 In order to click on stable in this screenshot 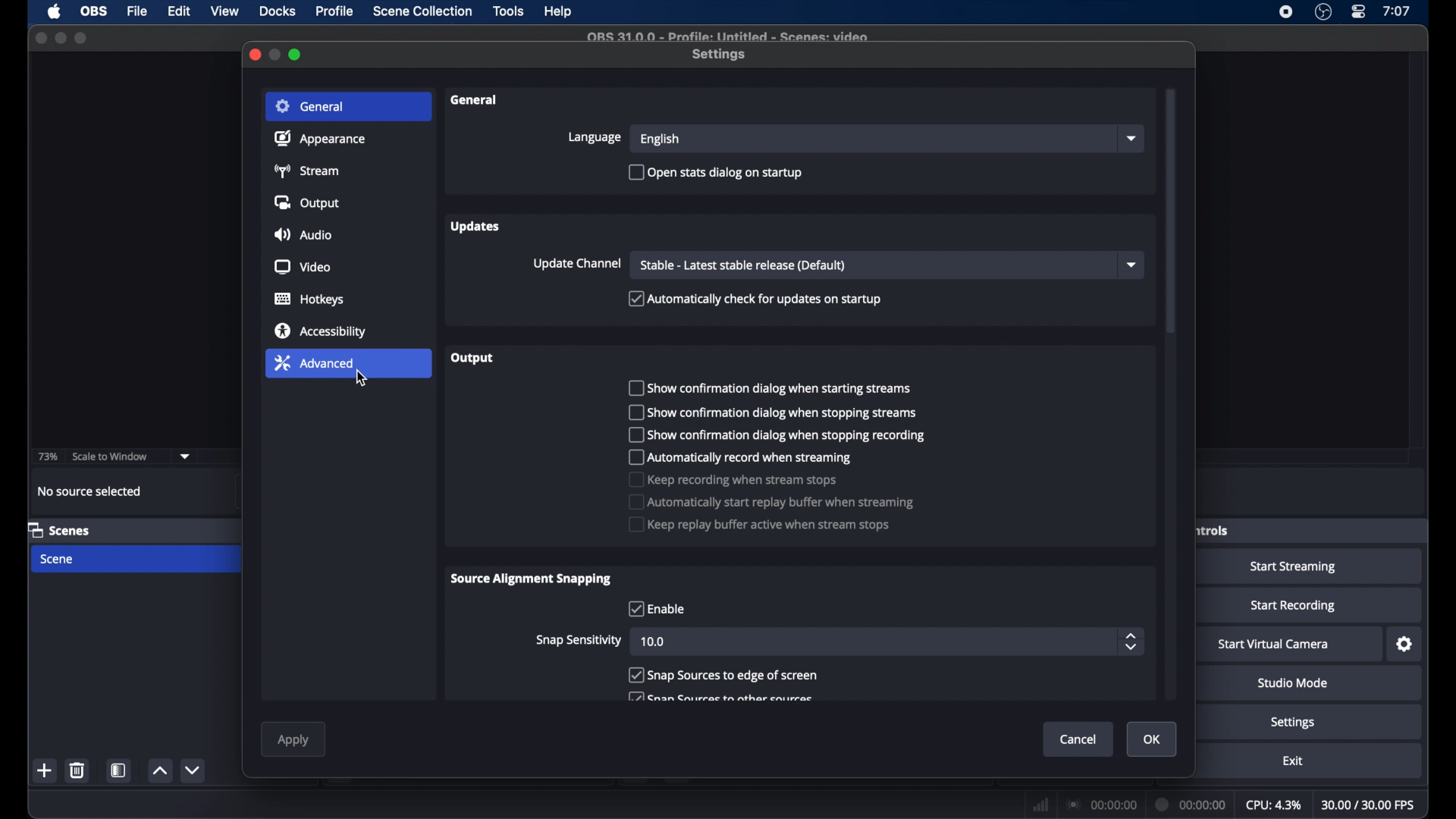, I will do `click(745, 265)`.